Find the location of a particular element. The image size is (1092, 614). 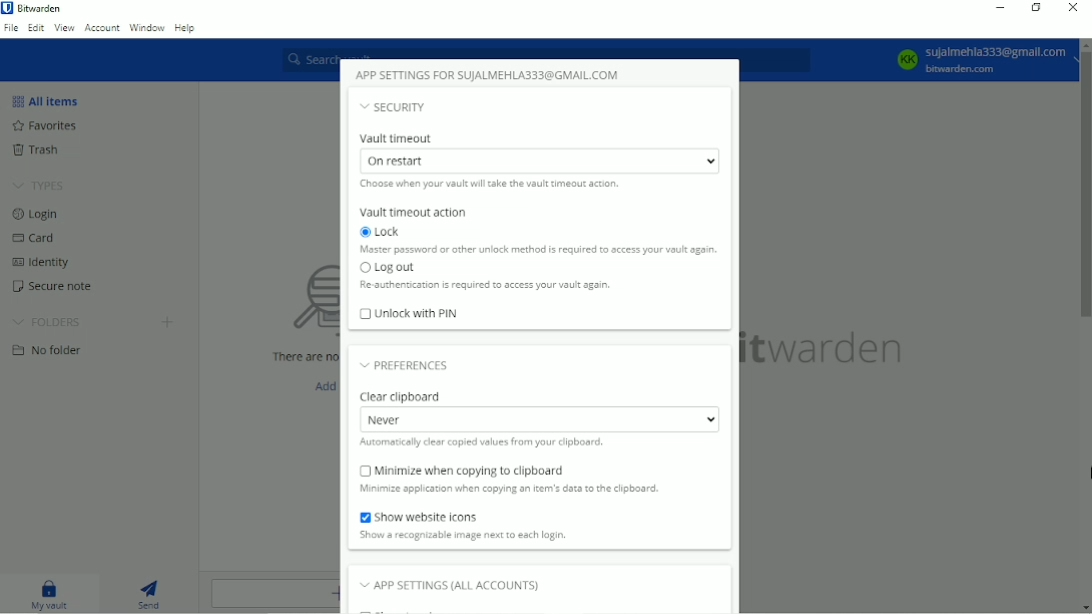

My vault is located at coordinates (51, 593).